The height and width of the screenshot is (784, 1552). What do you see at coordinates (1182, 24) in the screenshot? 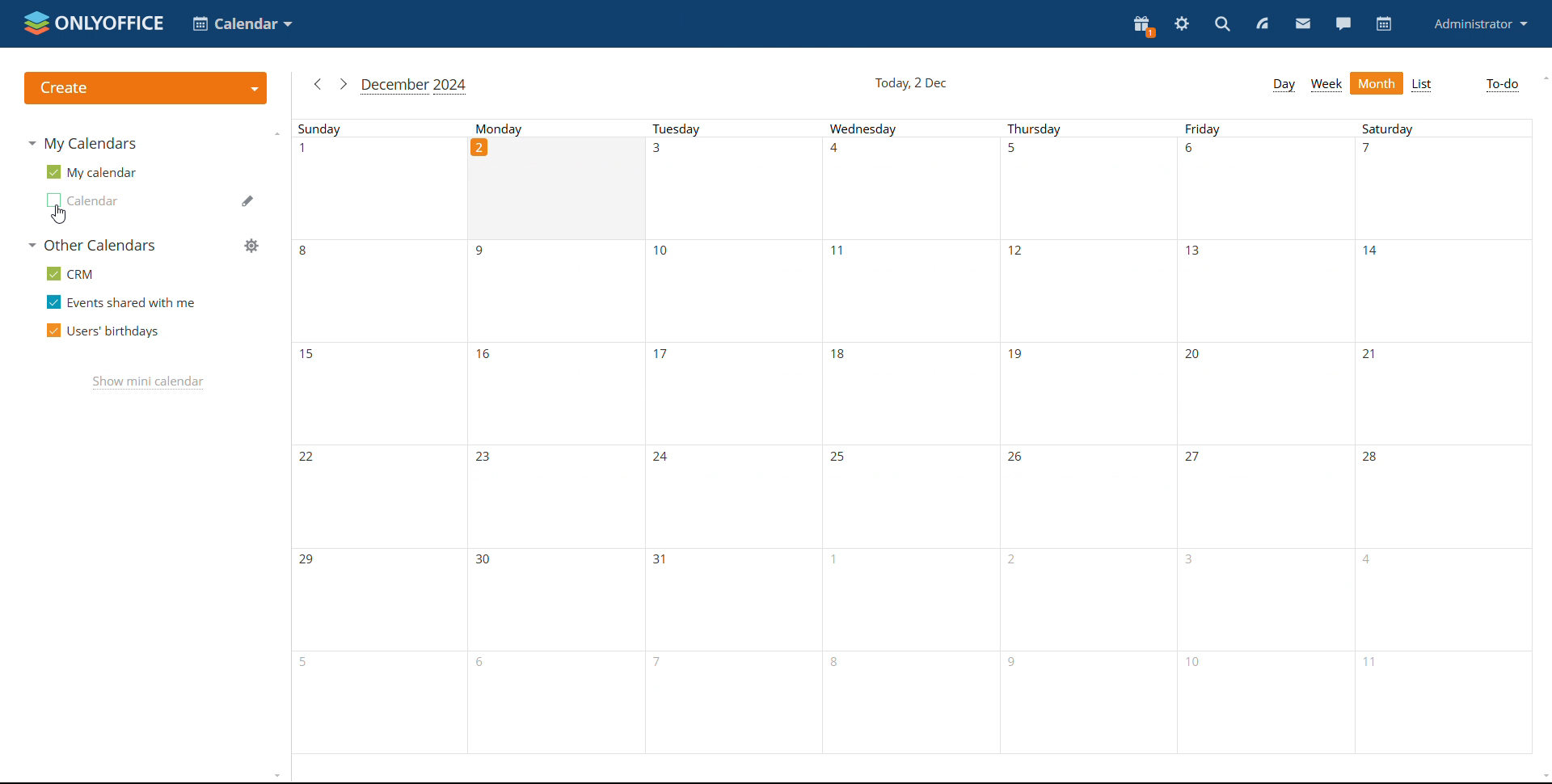
I see `settings` at bounding box center [1182, 24].